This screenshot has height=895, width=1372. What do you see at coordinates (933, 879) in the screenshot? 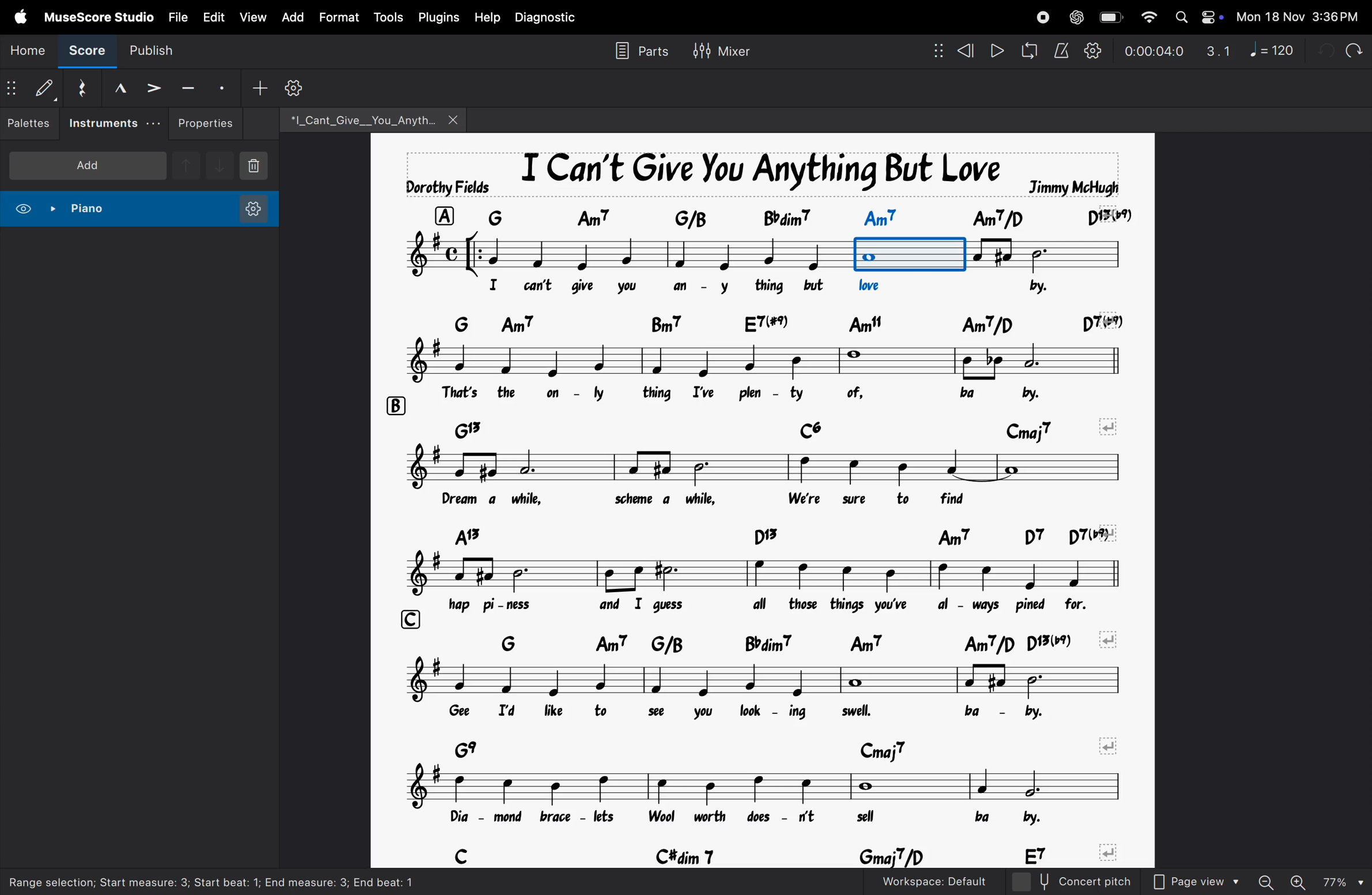
I see `workspace default` at bounding box center [933, 879].